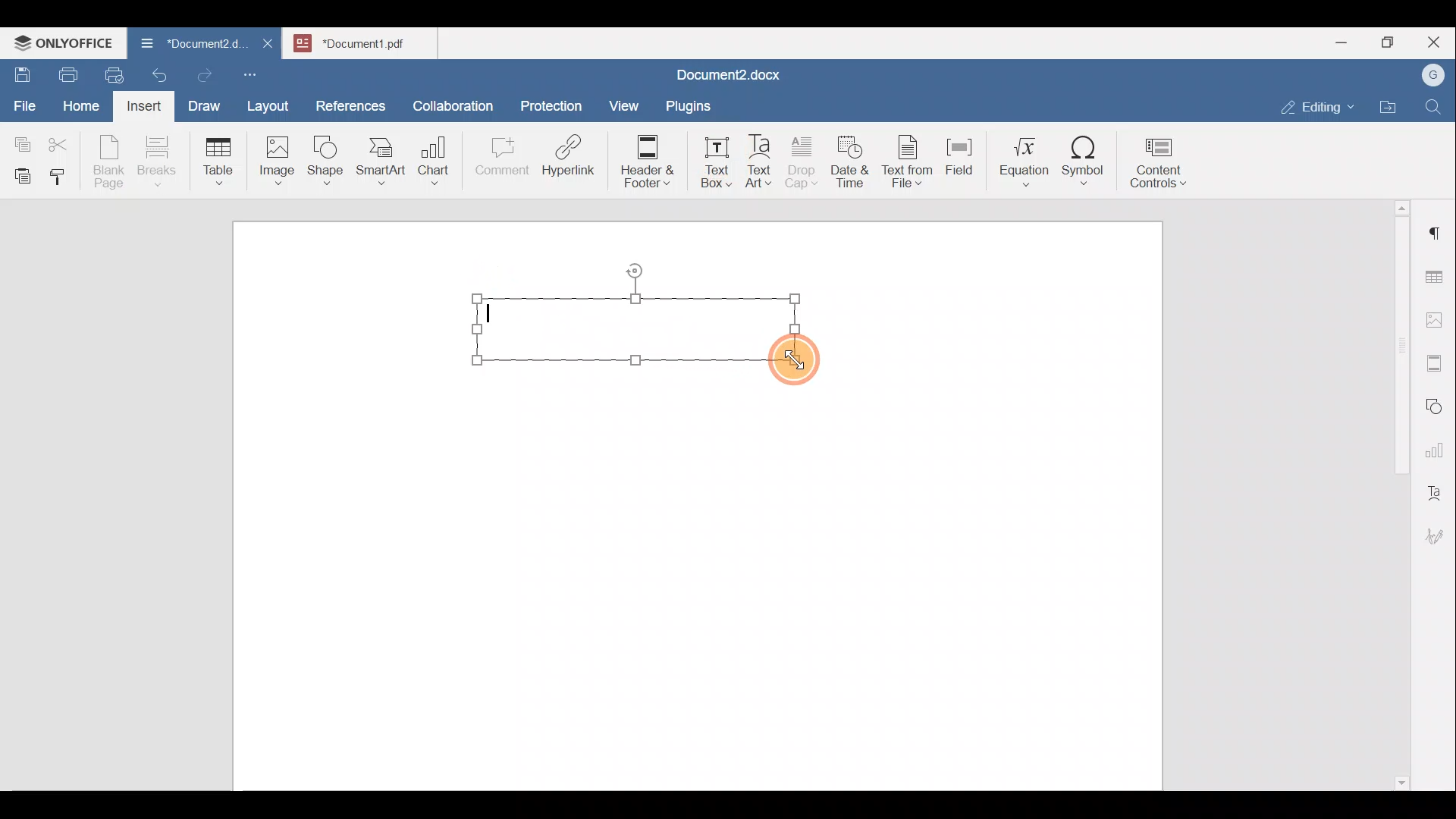 This screenshot has width=1456, height=819. What do you see at coordinates (281, 155) in the screenshot?
I see `Image` at bounding box center [281, 155].